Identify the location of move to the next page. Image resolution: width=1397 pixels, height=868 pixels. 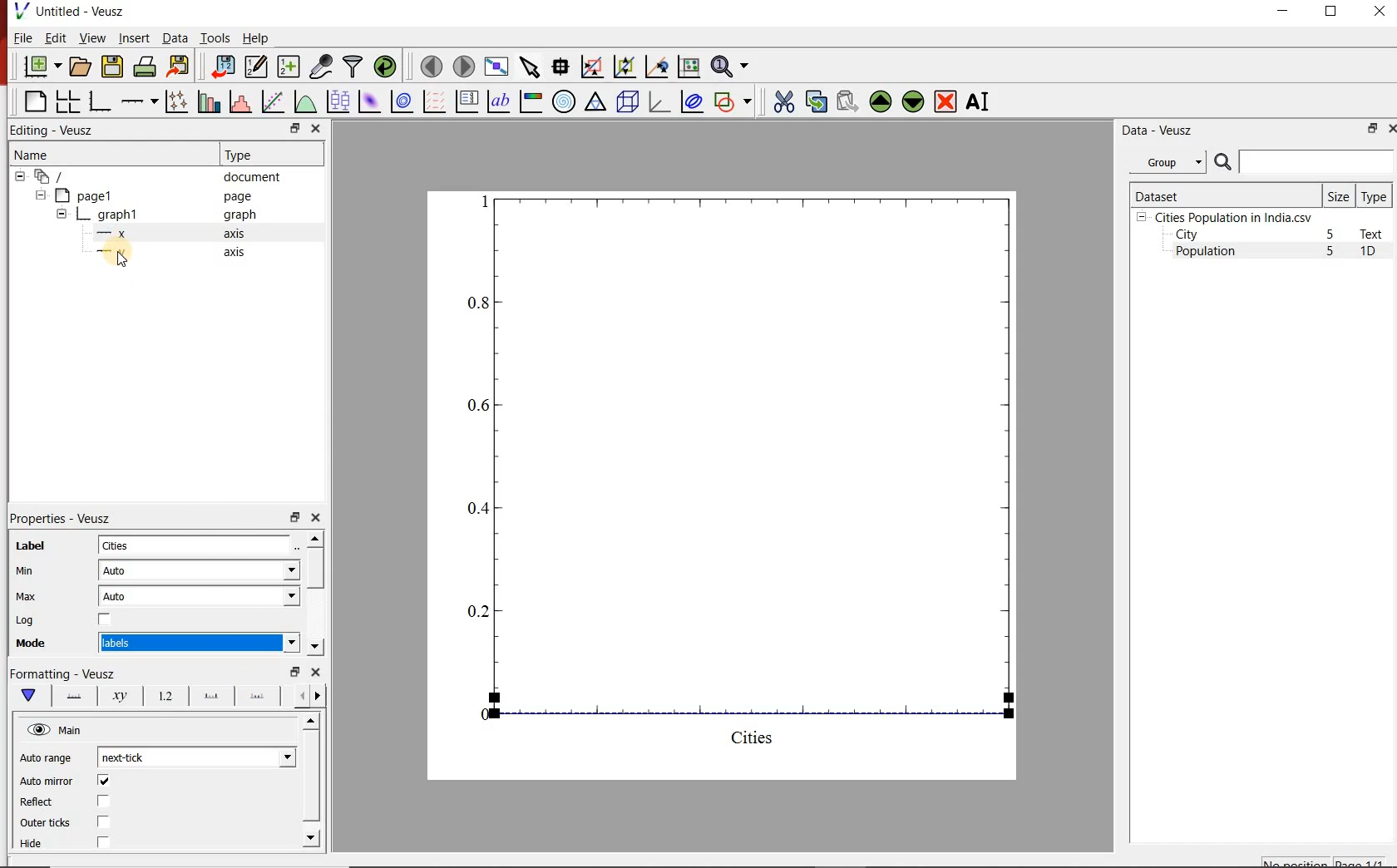
(462, 66).